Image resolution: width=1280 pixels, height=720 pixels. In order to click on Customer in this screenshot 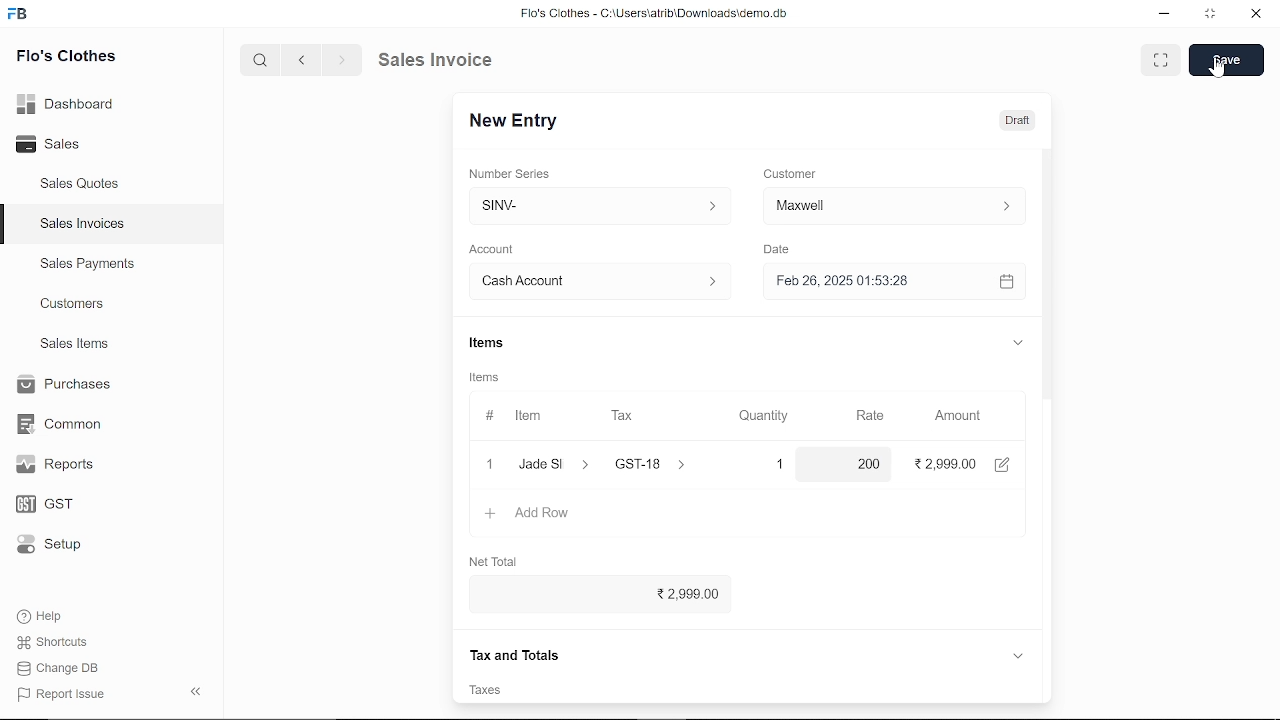, I will do `click(792, 173)`.